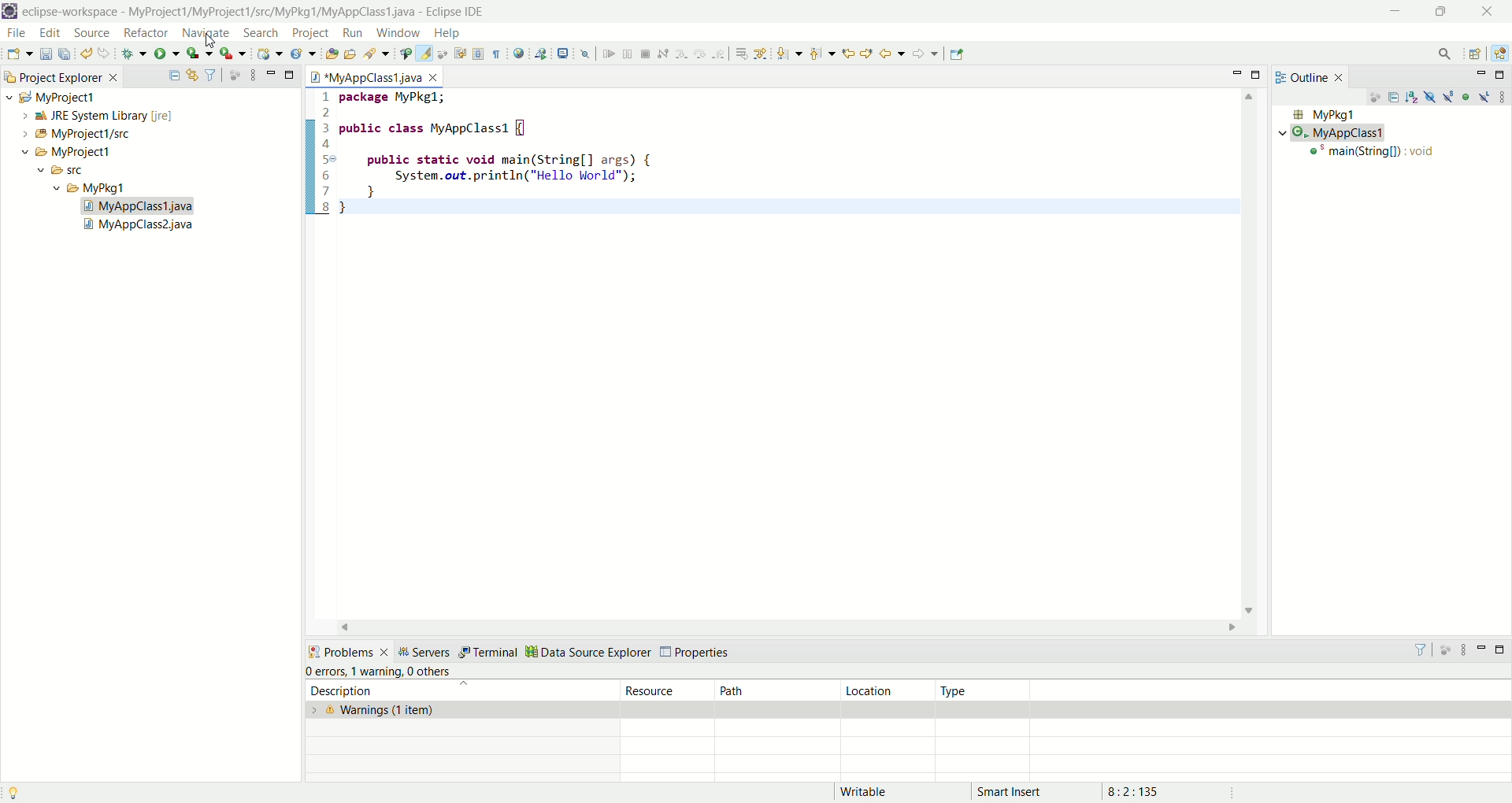 This screenshot has height=803, width=1512. What do you see at coordinates (1447, 650) in the screenshot?
I see `focus on active task` at bounding box center [1447, 650].